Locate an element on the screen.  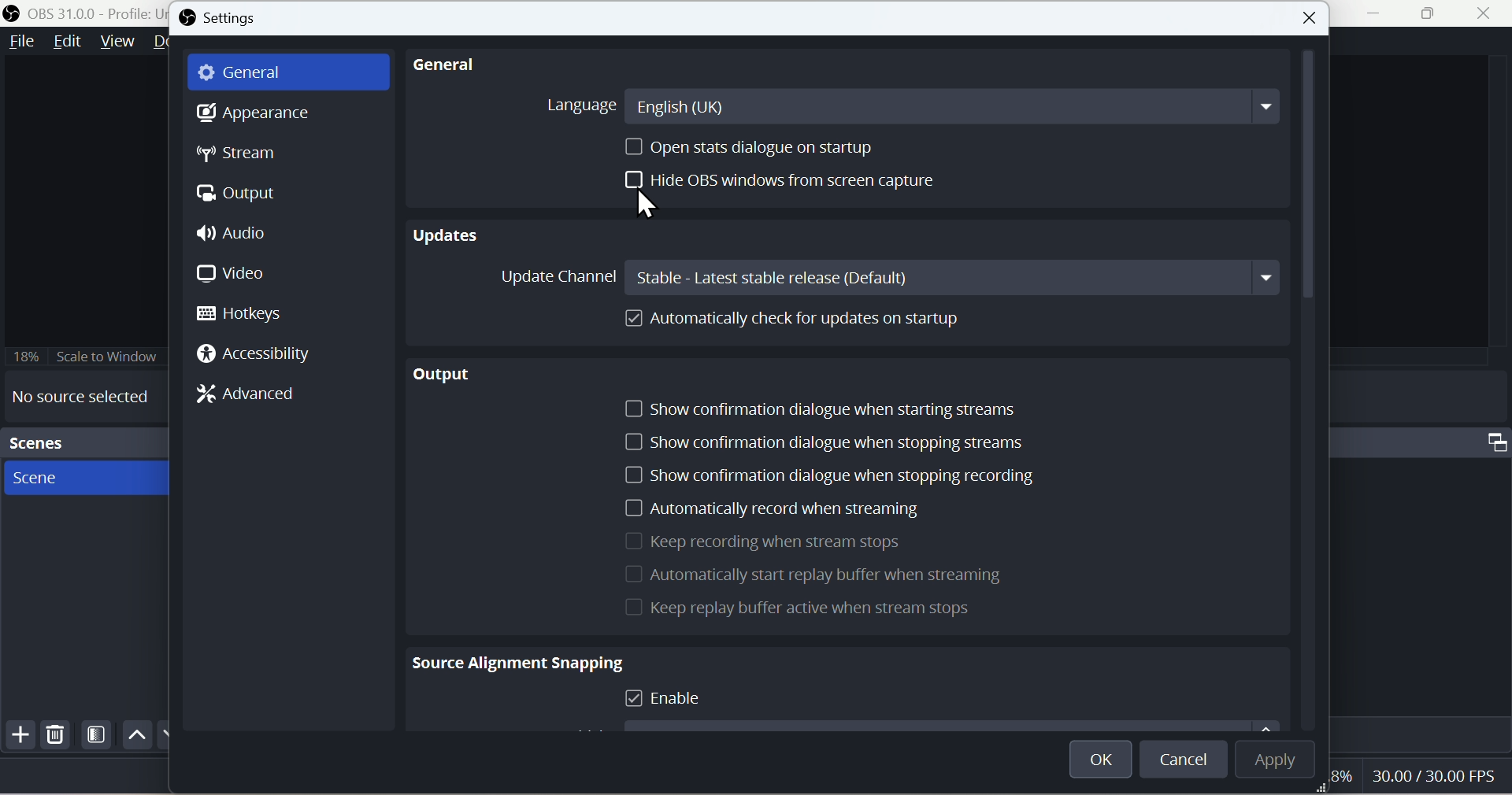
Stable: Latest stable release(Default) is located at coordinates (957, 276).